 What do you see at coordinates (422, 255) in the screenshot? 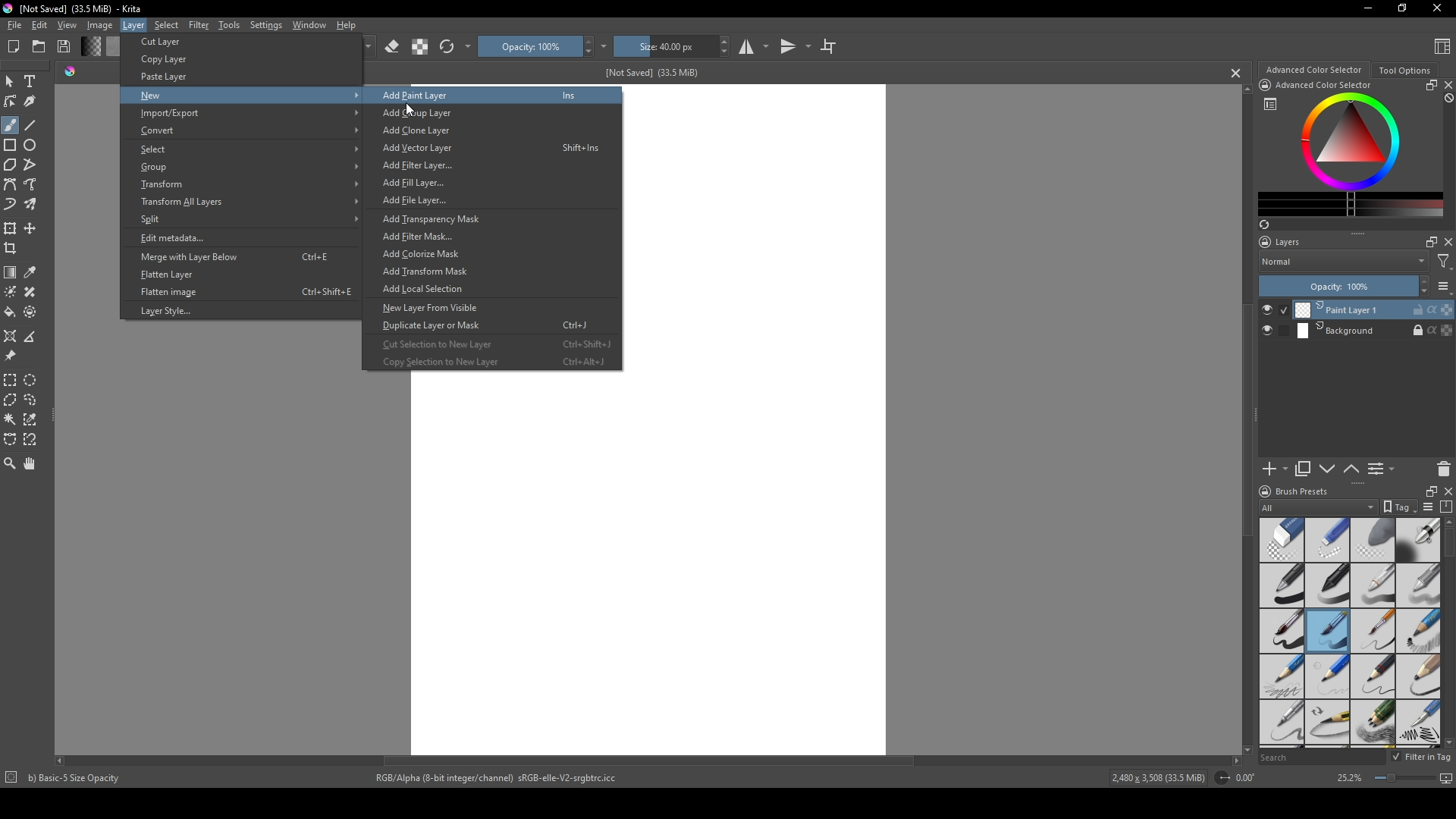
I see `Add Colorize Mask` at bounding box center [422, 255].